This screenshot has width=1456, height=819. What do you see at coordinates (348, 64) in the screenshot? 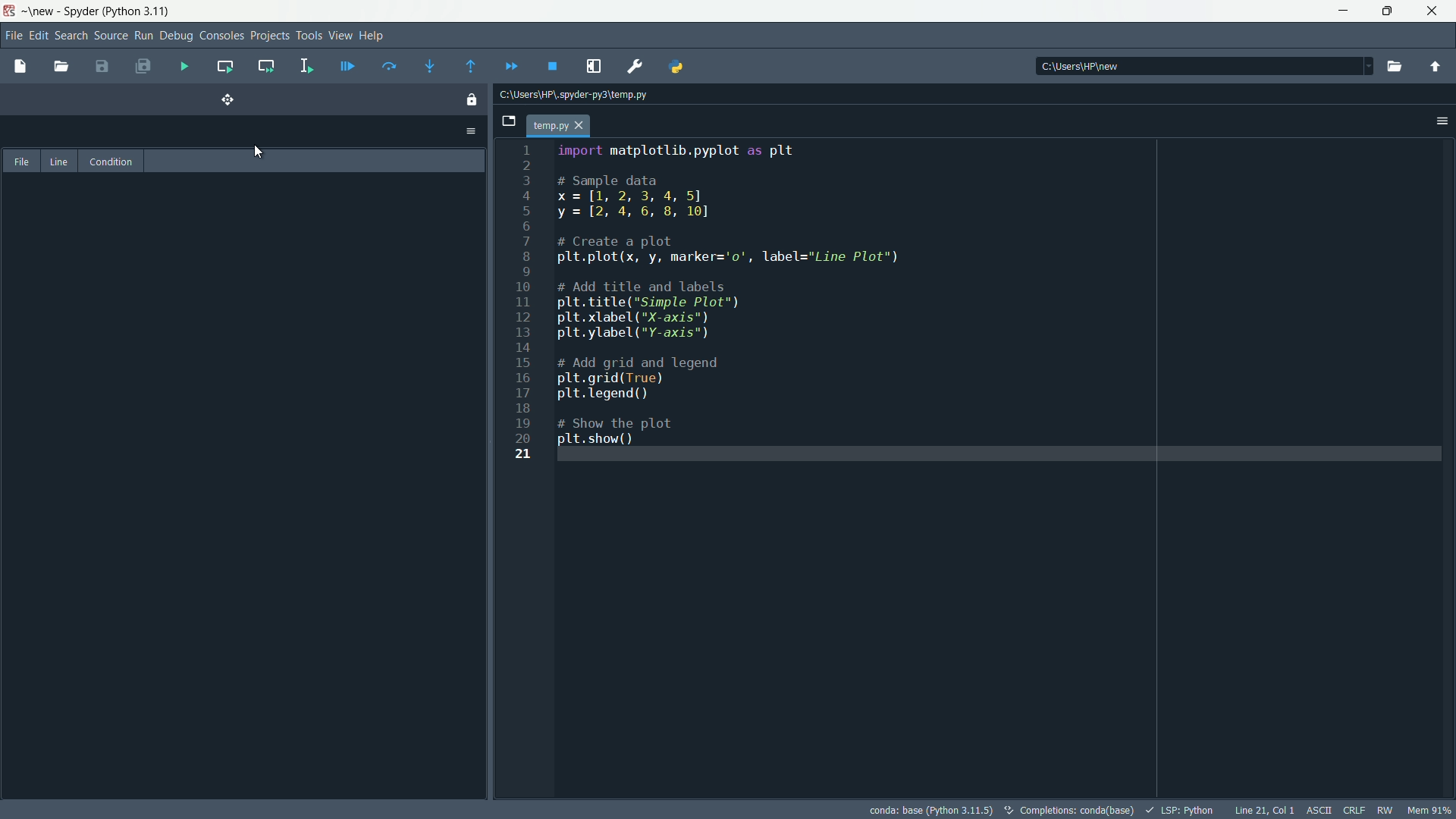
I see `debug file` at bounding box center [348, 64].